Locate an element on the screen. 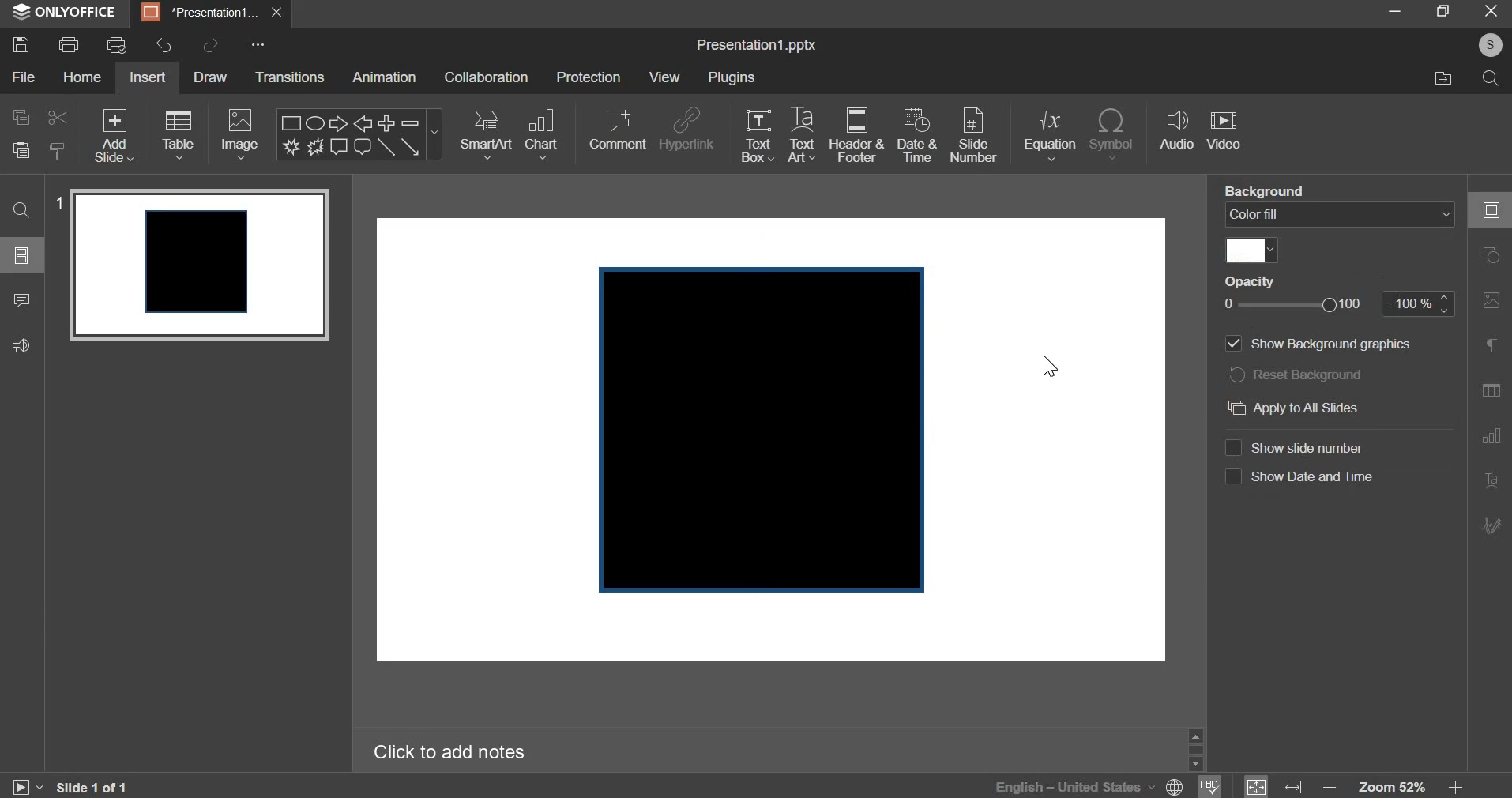 The image size is (1512, 798). equation is located at coordinates (1050, 135).